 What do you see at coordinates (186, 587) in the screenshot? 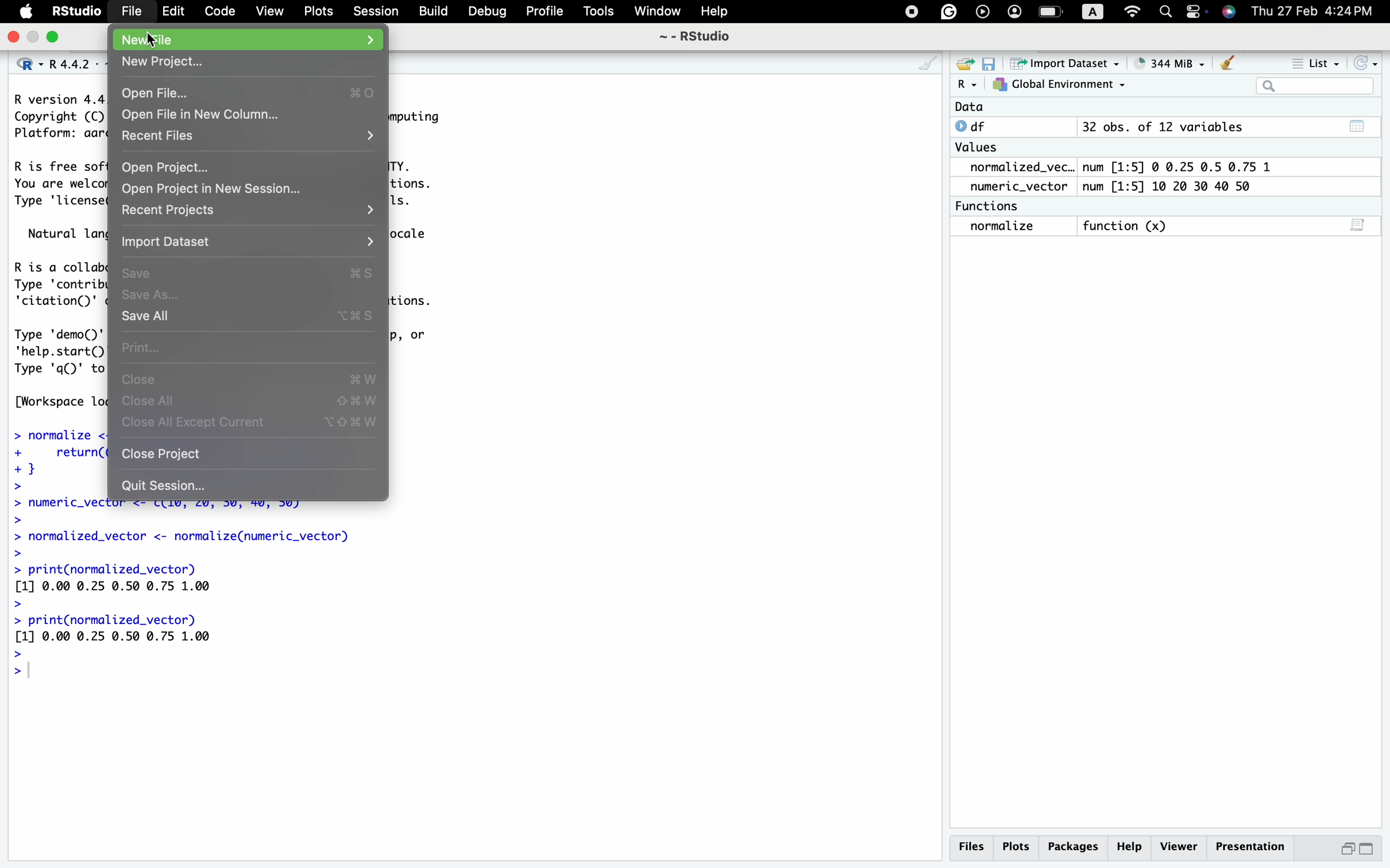
I see `> normalized_vector <- normalize(numeric_vector)
>

> print(normalized_vector)

[1] 0.00 0.25 0.50 @.75 1.00

>

> print(normalized_vector)

[1] 0.00 0.25 0.50 0.75 1.00` at bounding box center [186, 587].